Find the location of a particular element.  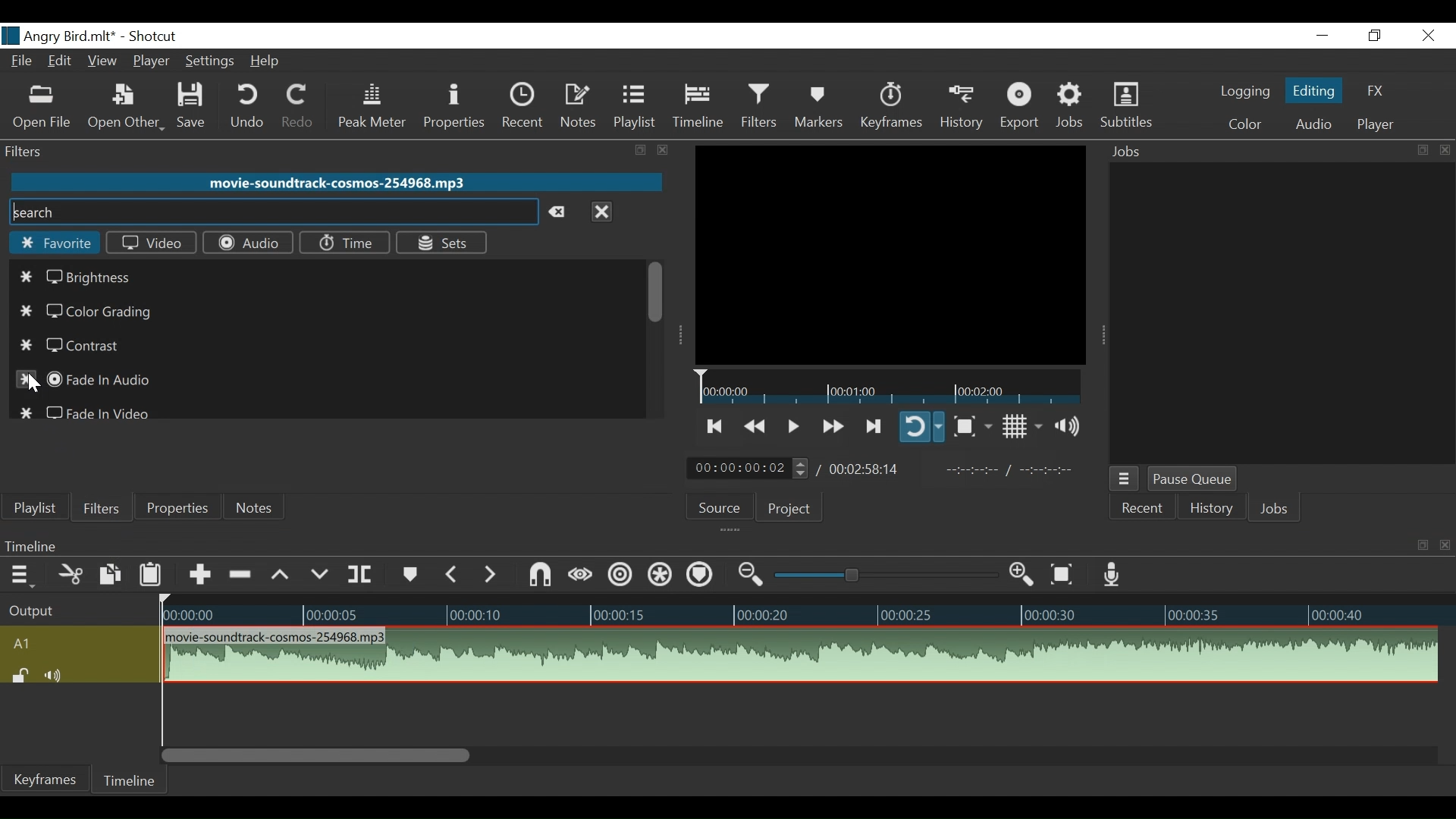

Zoom timeline out is located at coordinates (748, 576).